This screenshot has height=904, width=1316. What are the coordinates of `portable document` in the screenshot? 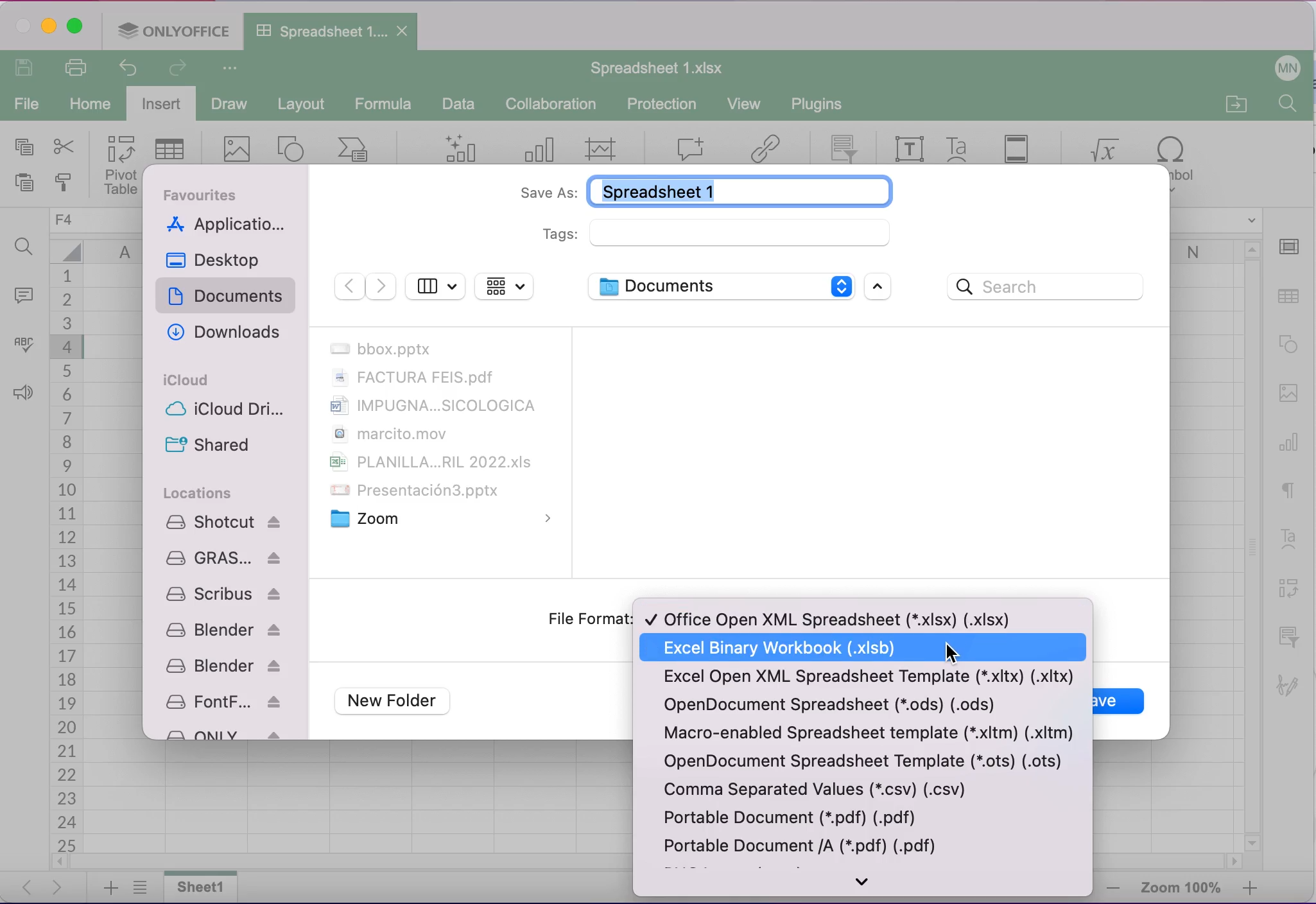 It's located at (788, 819).